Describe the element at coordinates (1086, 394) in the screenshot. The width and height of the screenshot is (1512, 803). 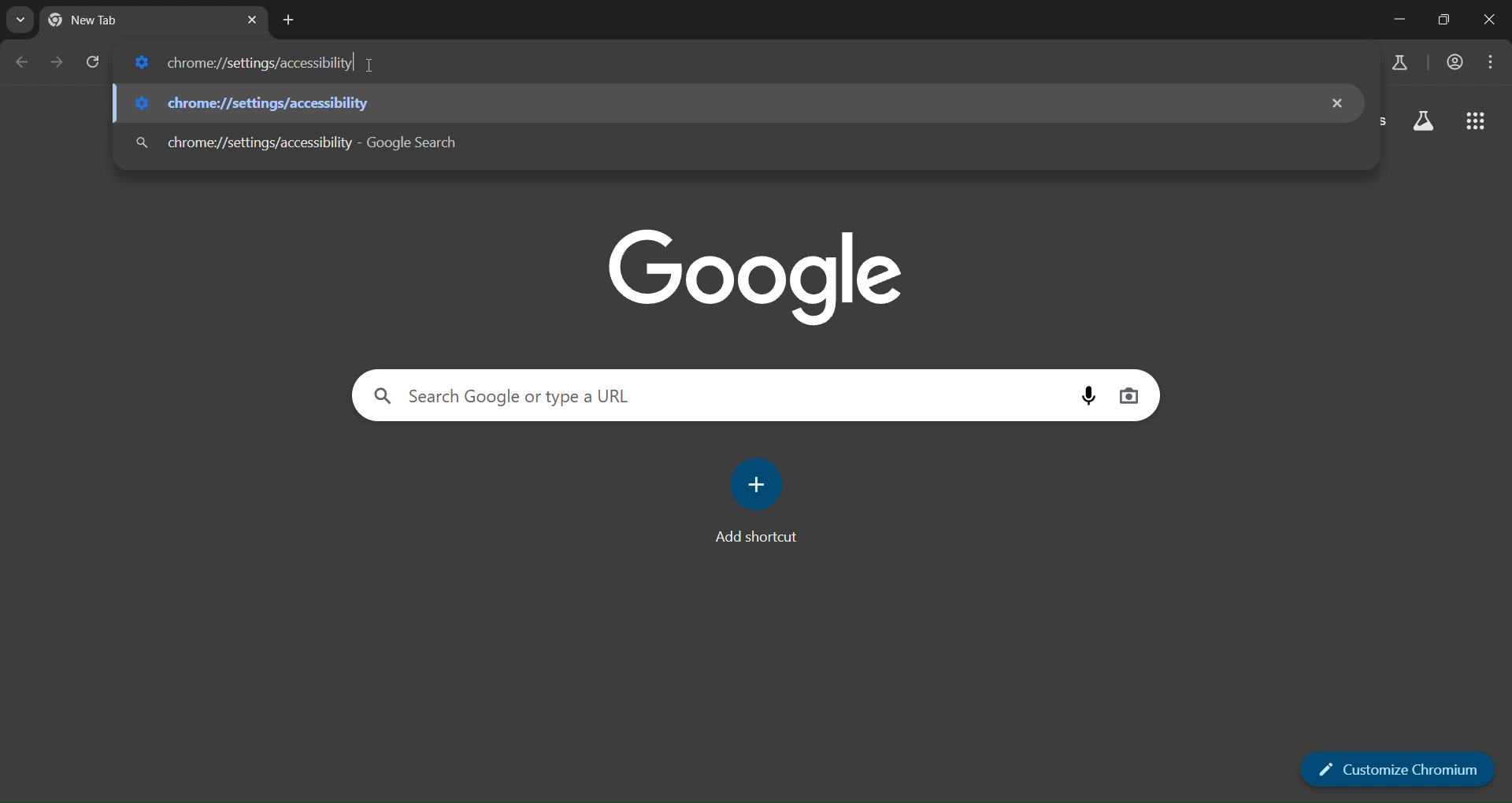
I see `voice search` at that location.